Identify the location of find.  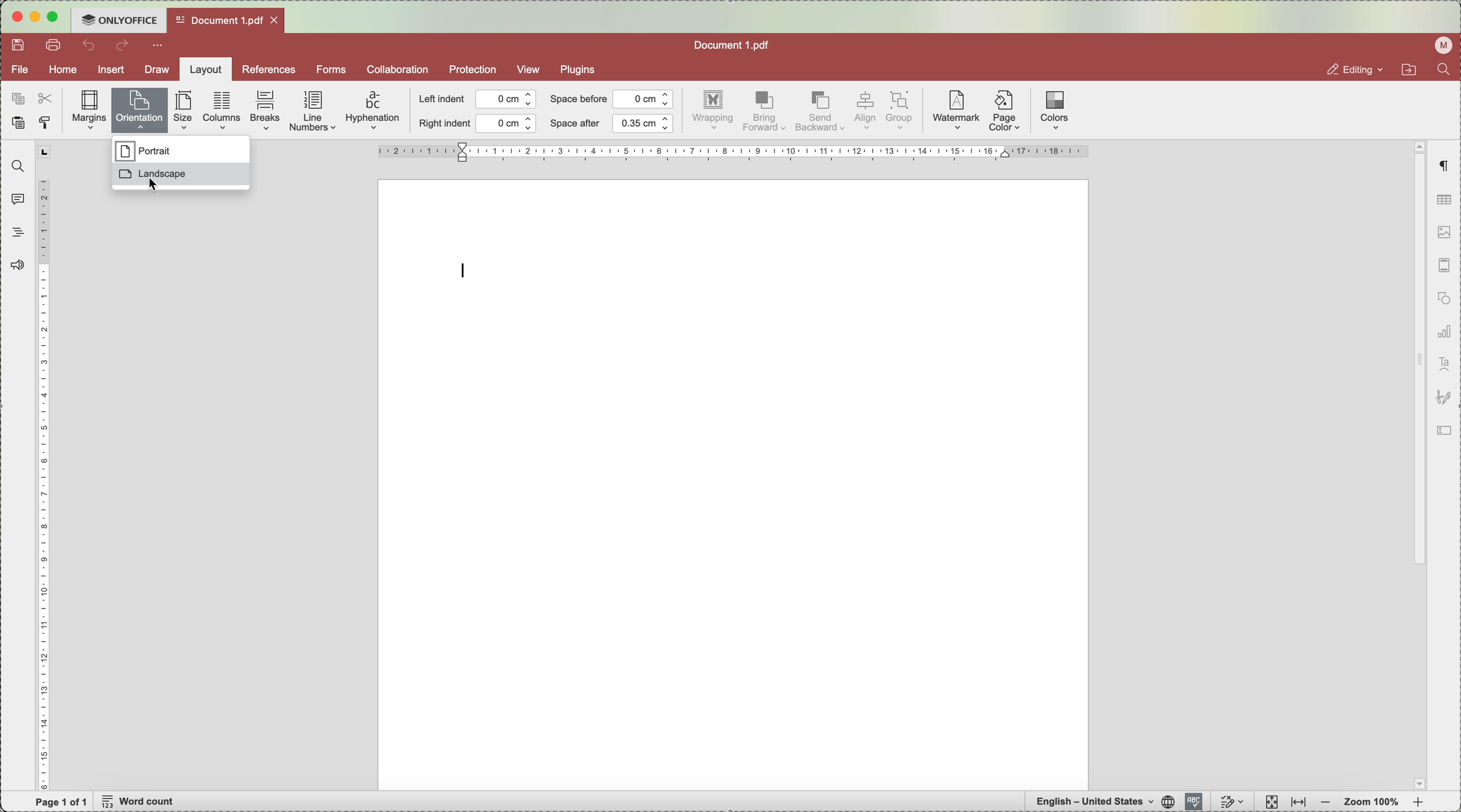
(15, 166).